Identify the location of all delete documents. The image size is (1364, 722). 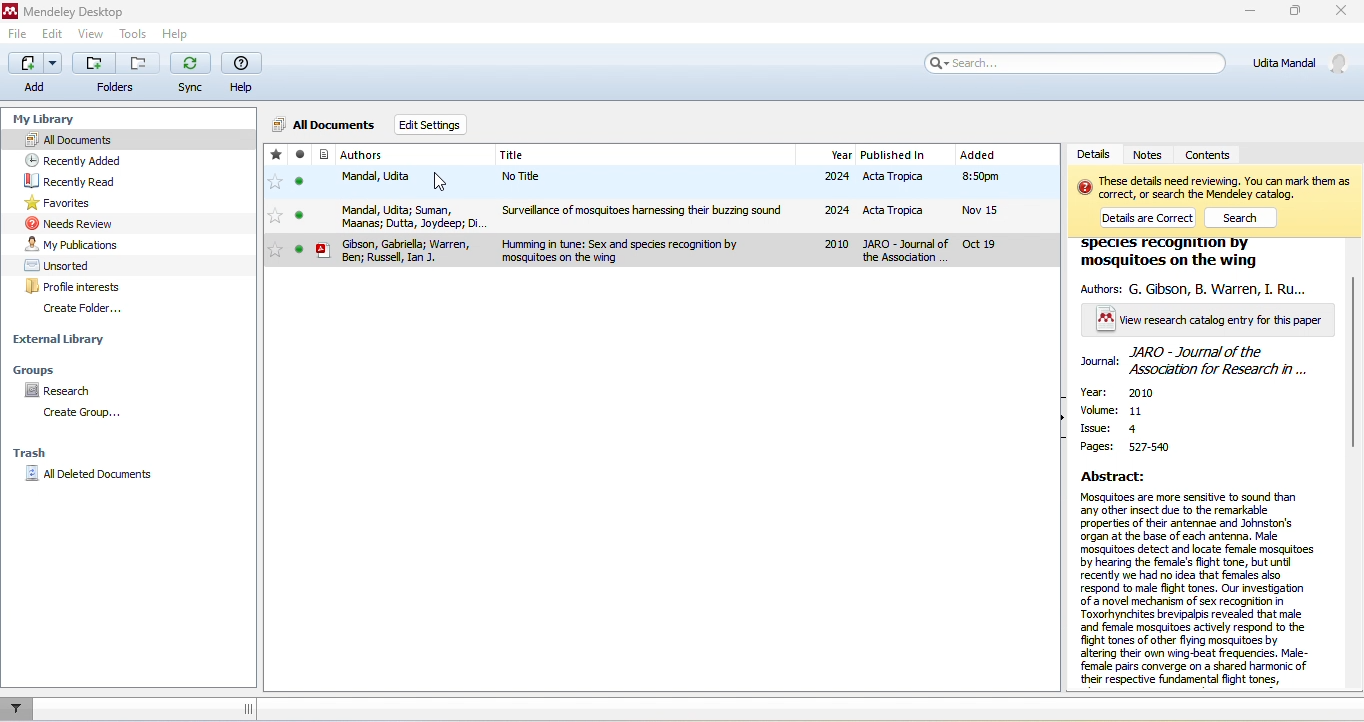
(89, 474).